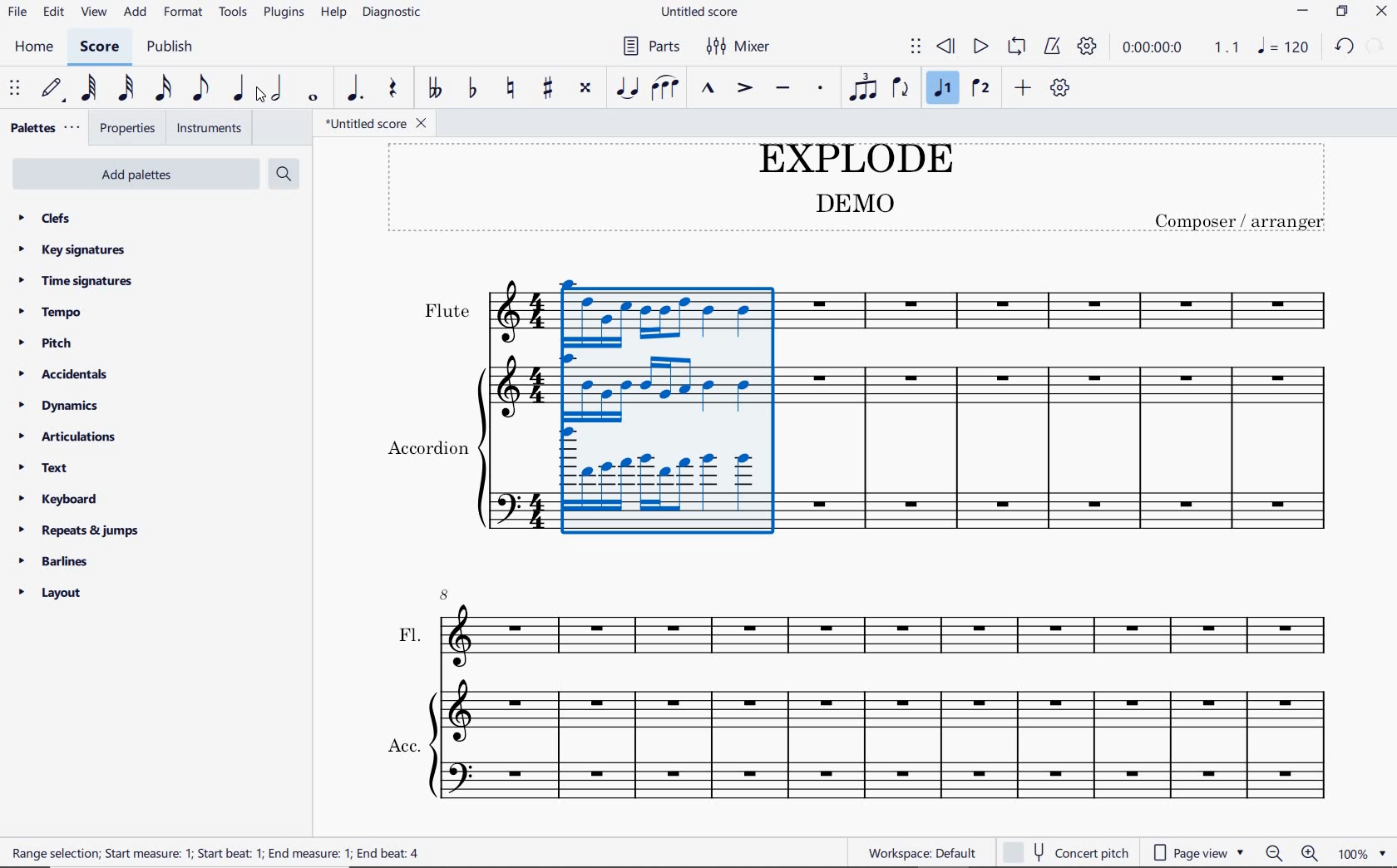 The height and width of the screenshot is (868, 1397). Describe the element at coordinates (1226, 48) in the screenshot. I see `Playback speed` at that location.